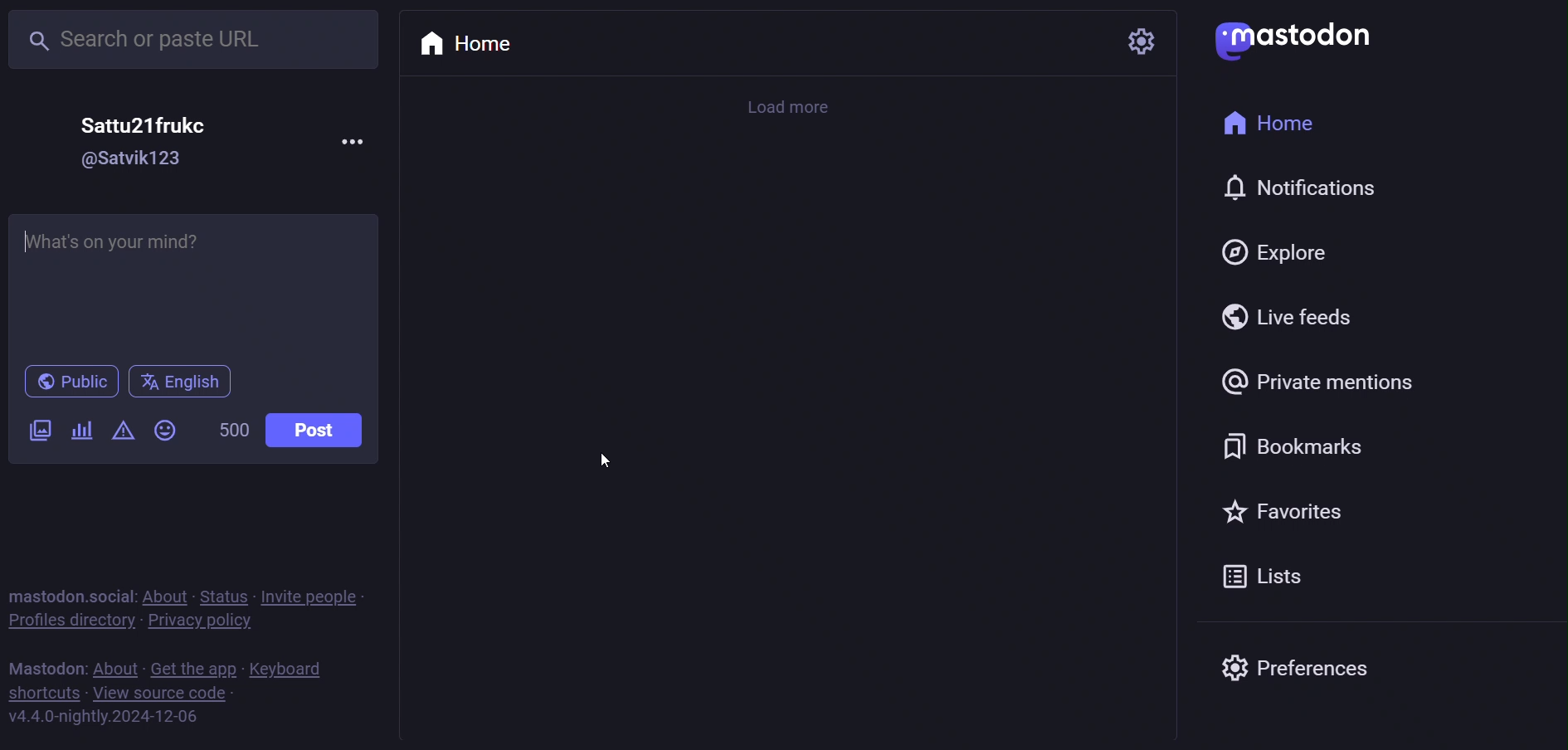  What do you see at coordinates (318, 428) in the screenshot?
I see `post` at bounding box center [318, 428].